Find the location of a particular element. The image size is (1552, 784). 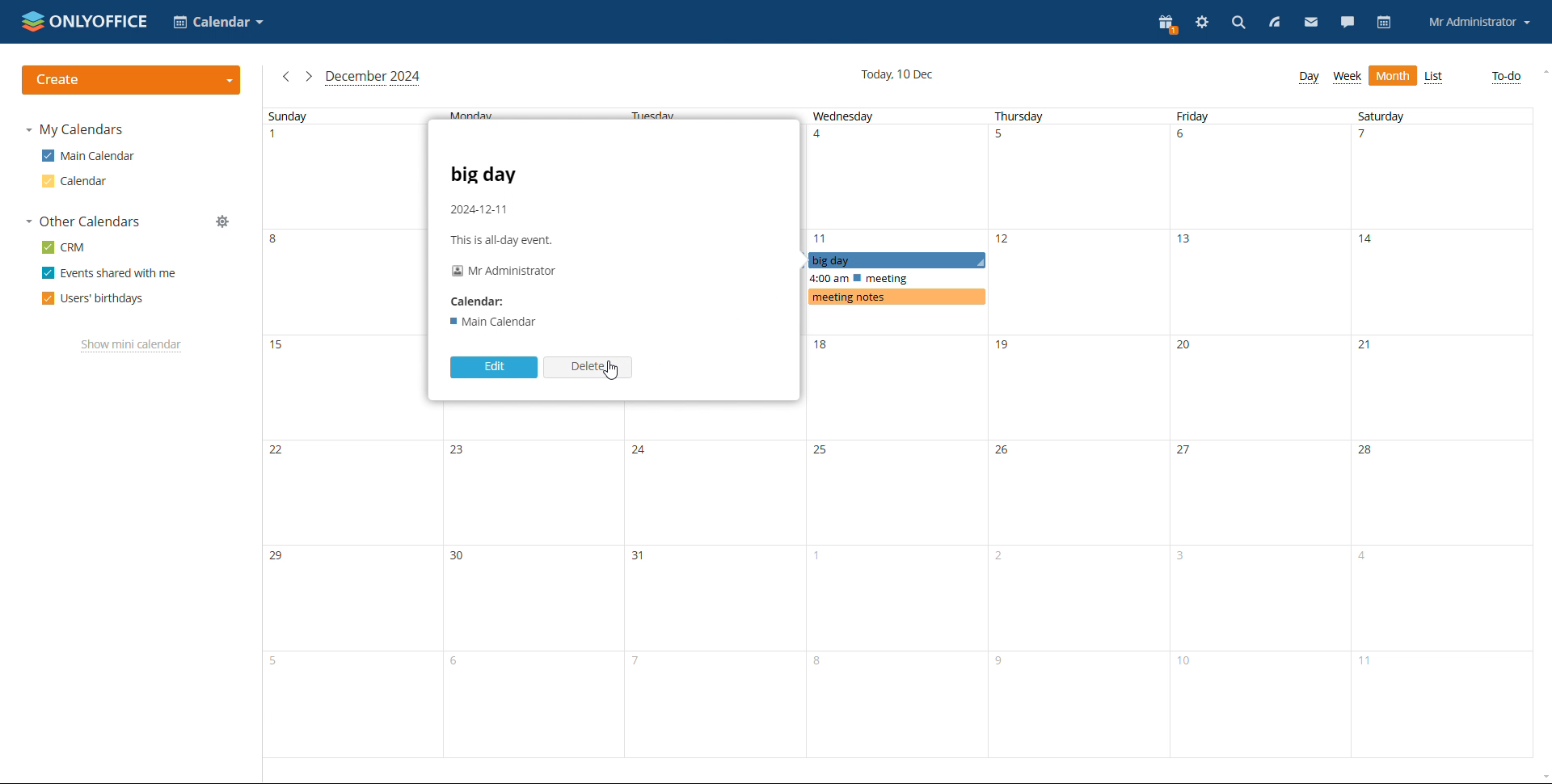

calender is located at coordinates (502, 302).